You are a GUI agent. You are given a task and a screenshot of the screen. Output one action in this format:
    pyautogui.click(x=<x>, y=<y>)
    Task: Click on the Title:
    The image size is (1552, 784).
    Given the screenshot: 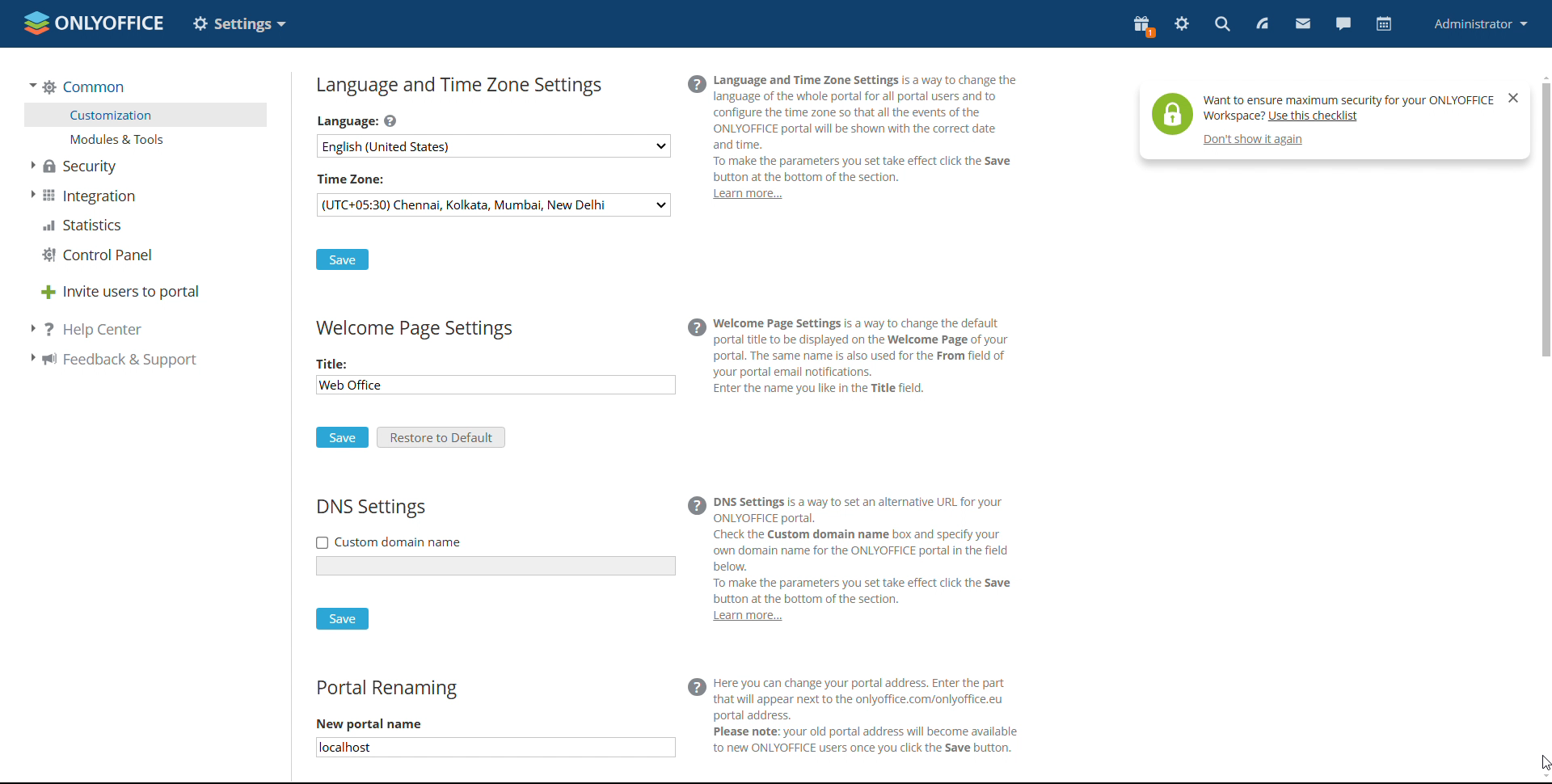 What is the action you would take?
    pyautogui.click(x=333, y=364)
    